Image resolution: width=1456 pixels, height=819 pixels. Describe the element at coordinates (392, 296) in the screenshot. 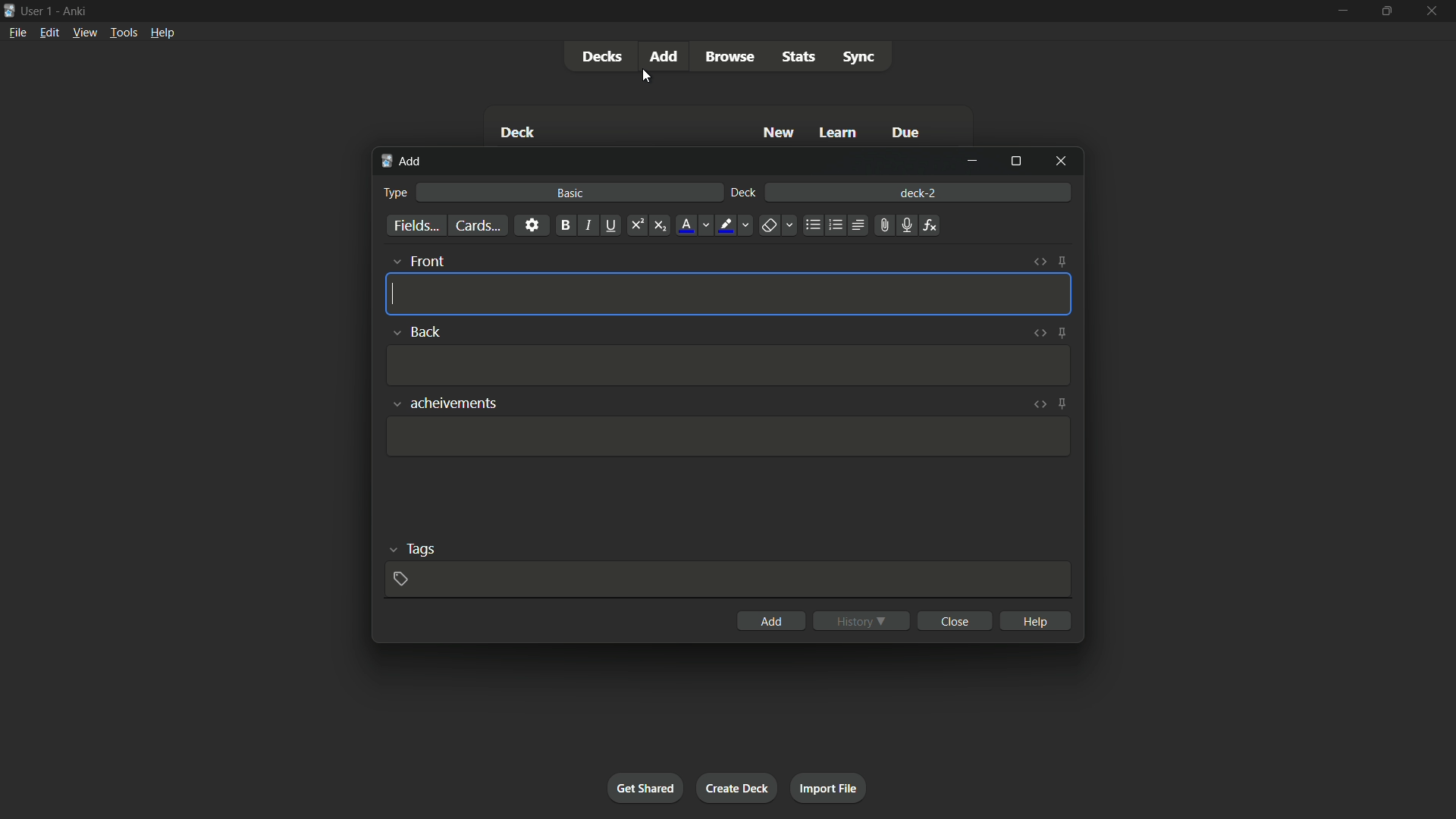

I see `cursor` at that location.